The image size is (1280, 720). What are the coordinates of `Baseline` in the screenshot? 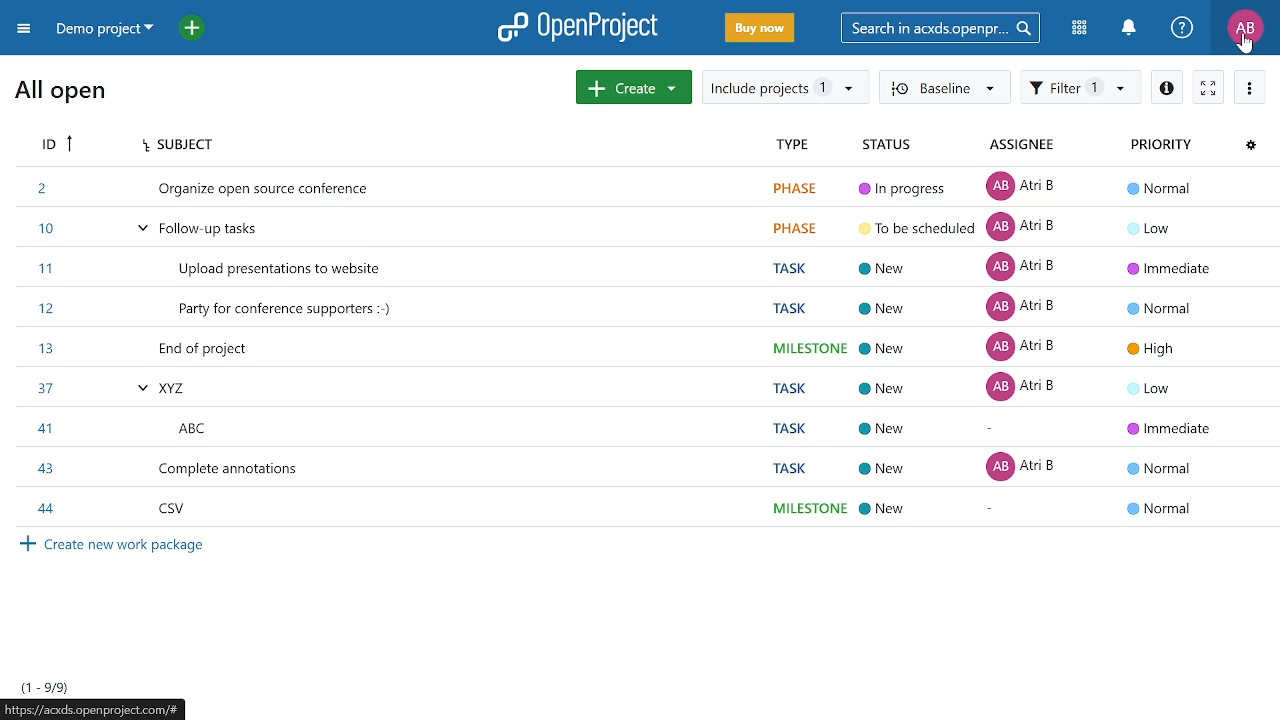 It's located at (944, 88).